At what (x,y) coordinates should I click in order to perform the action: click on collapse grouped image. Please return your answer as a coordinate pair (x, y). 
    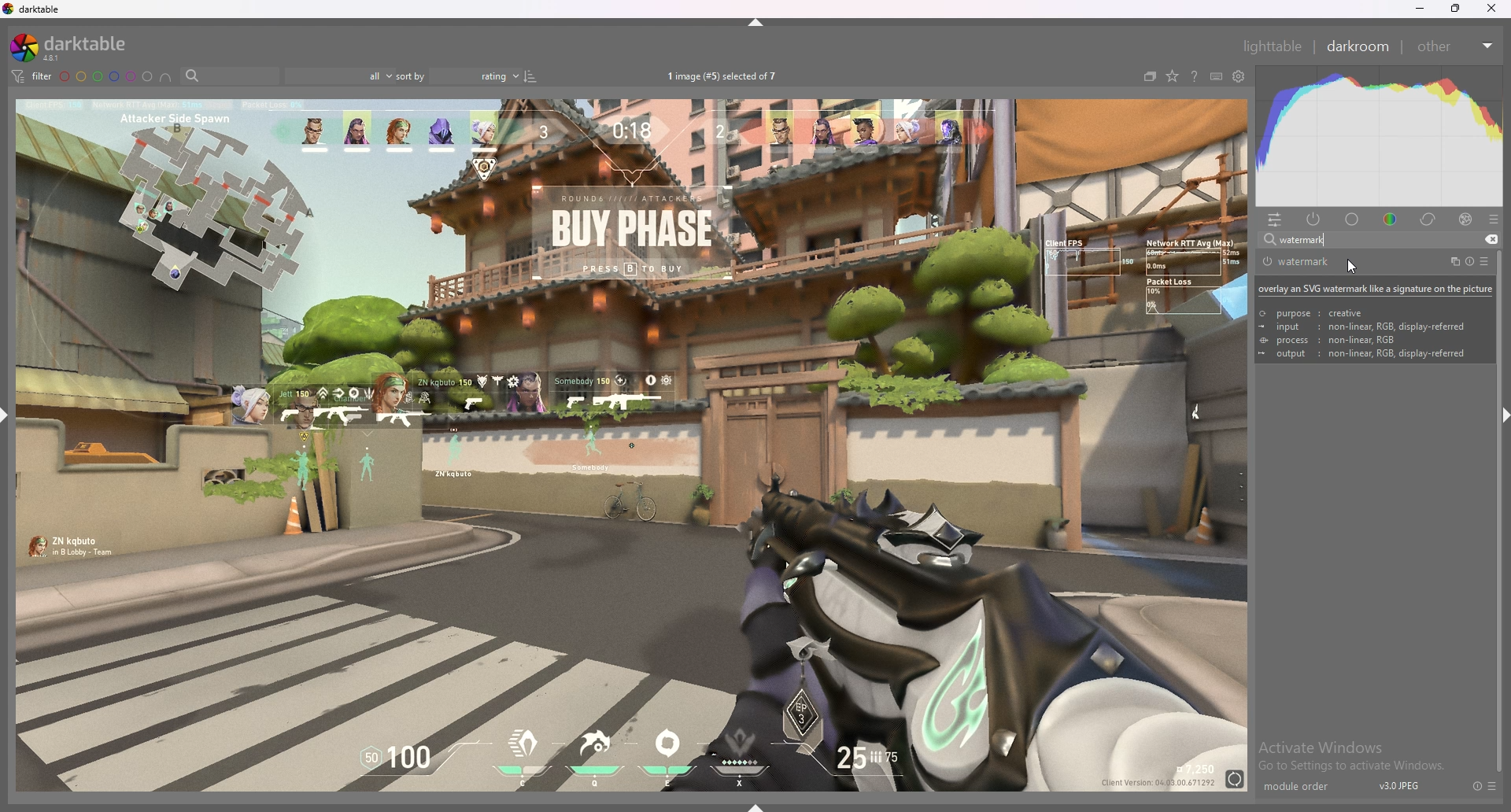
    Looking at the image, I should click on (1150, 76).